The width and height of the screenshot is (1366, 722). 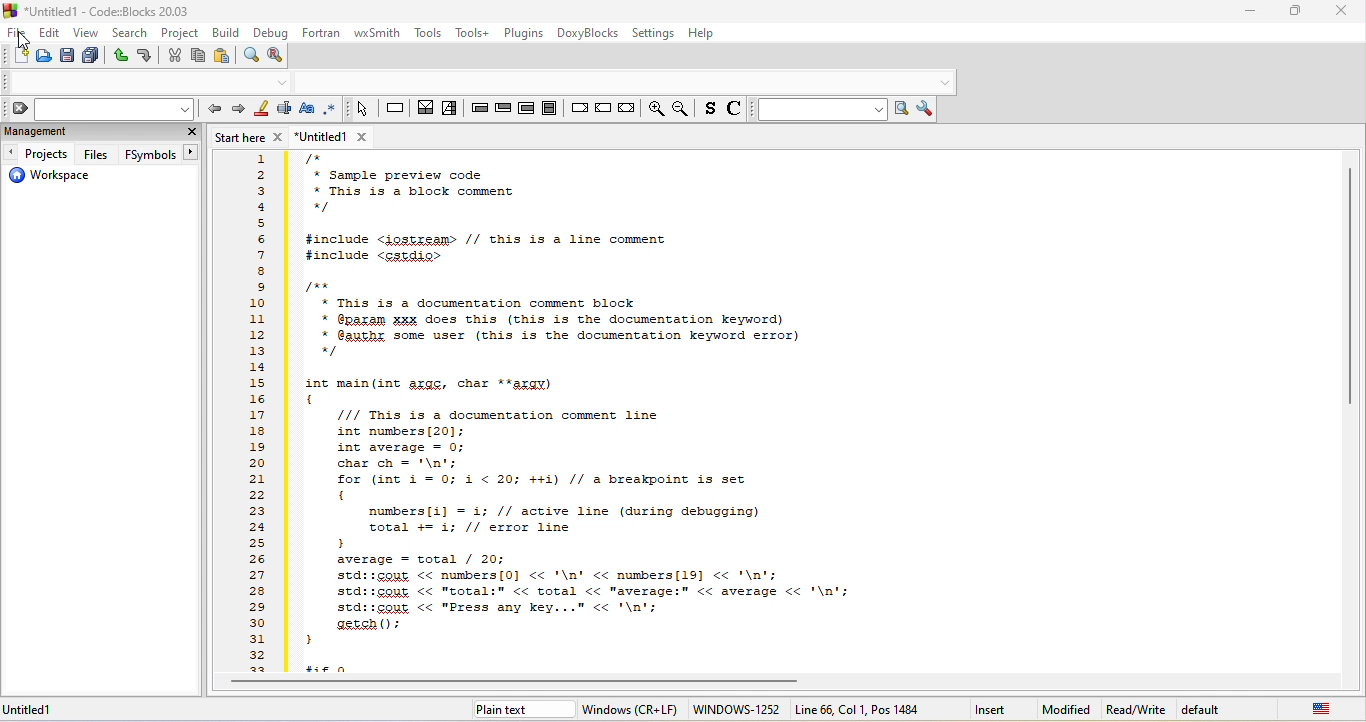 What do you see at coordinates (628, 710) in the screenshot?
I see `windows` at bounding box center [628, 710].